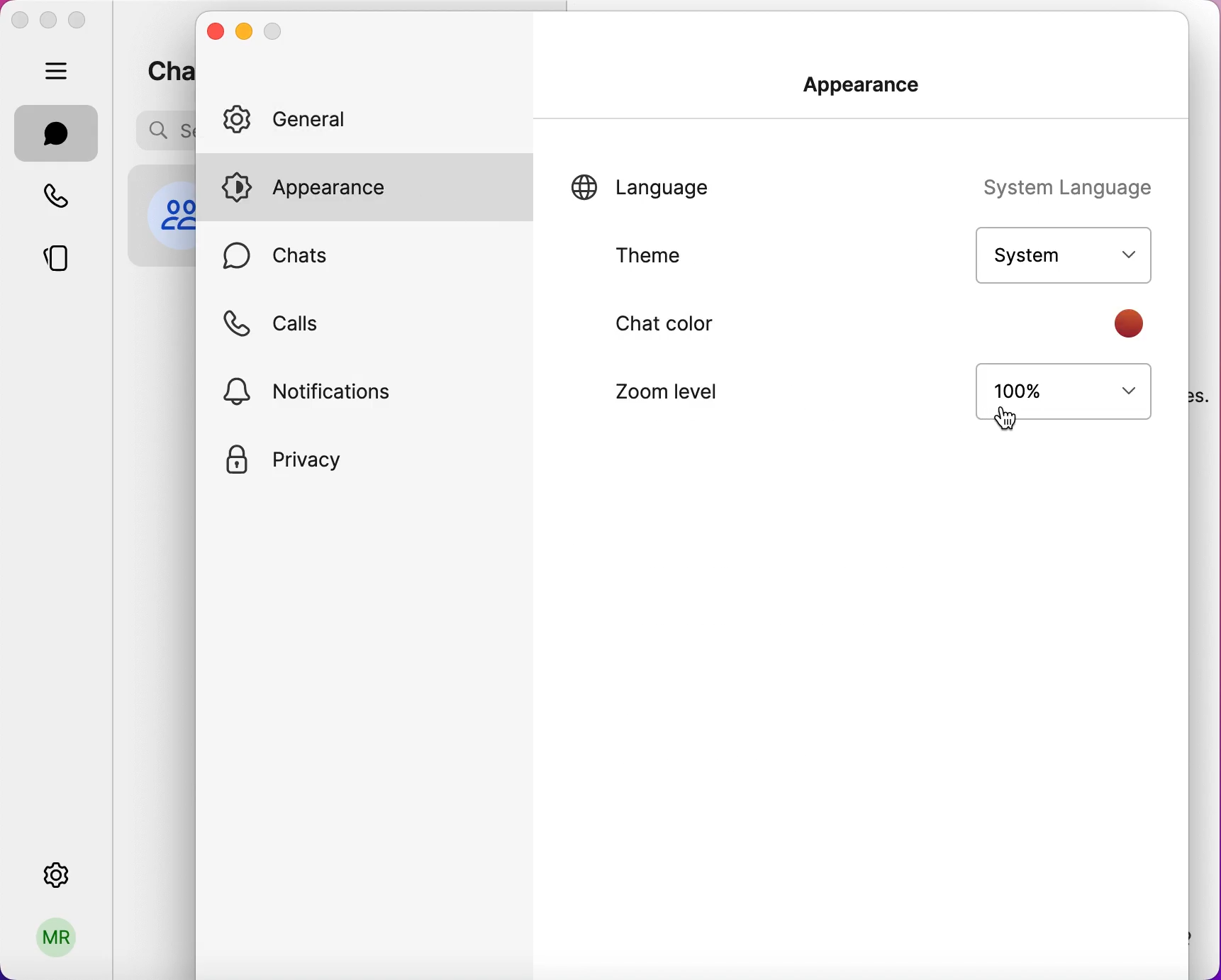 The height and width of the screenshot is (980, 1221). I want to click on hide bar, so click(52, 72).